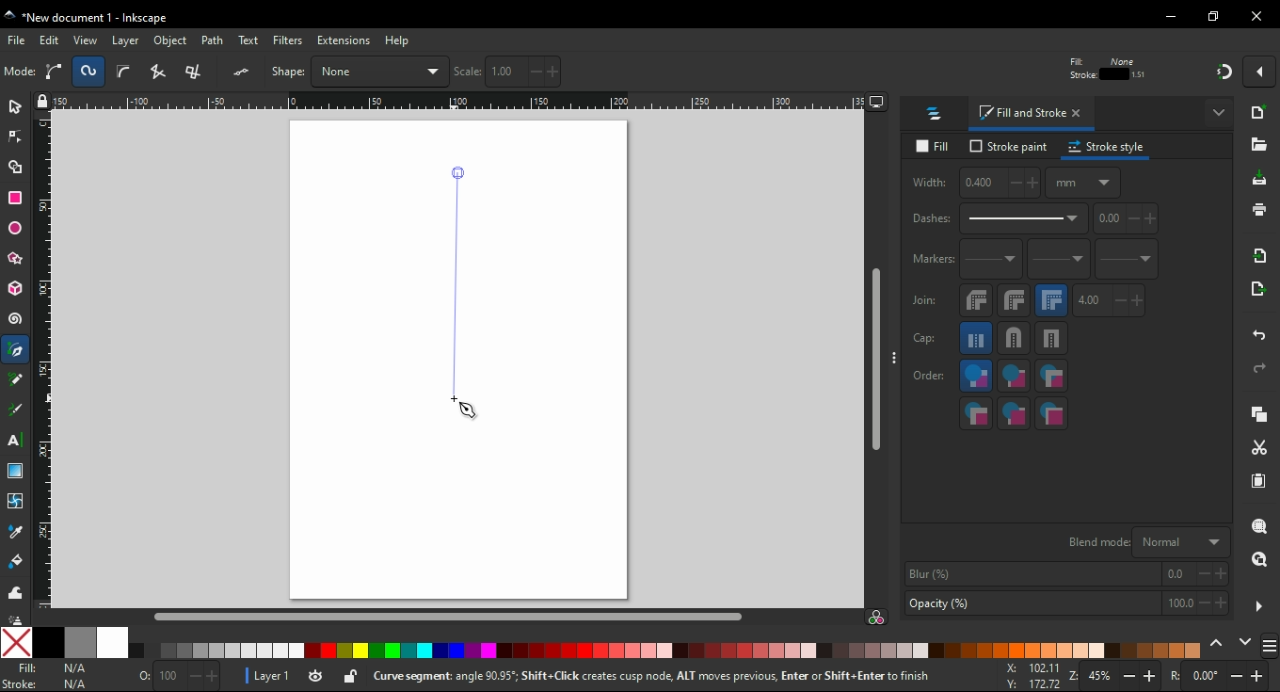 The image size is (1280, 692). Describe the element at coordinates (47, 642) in the screenshot. I see `black` at that location.